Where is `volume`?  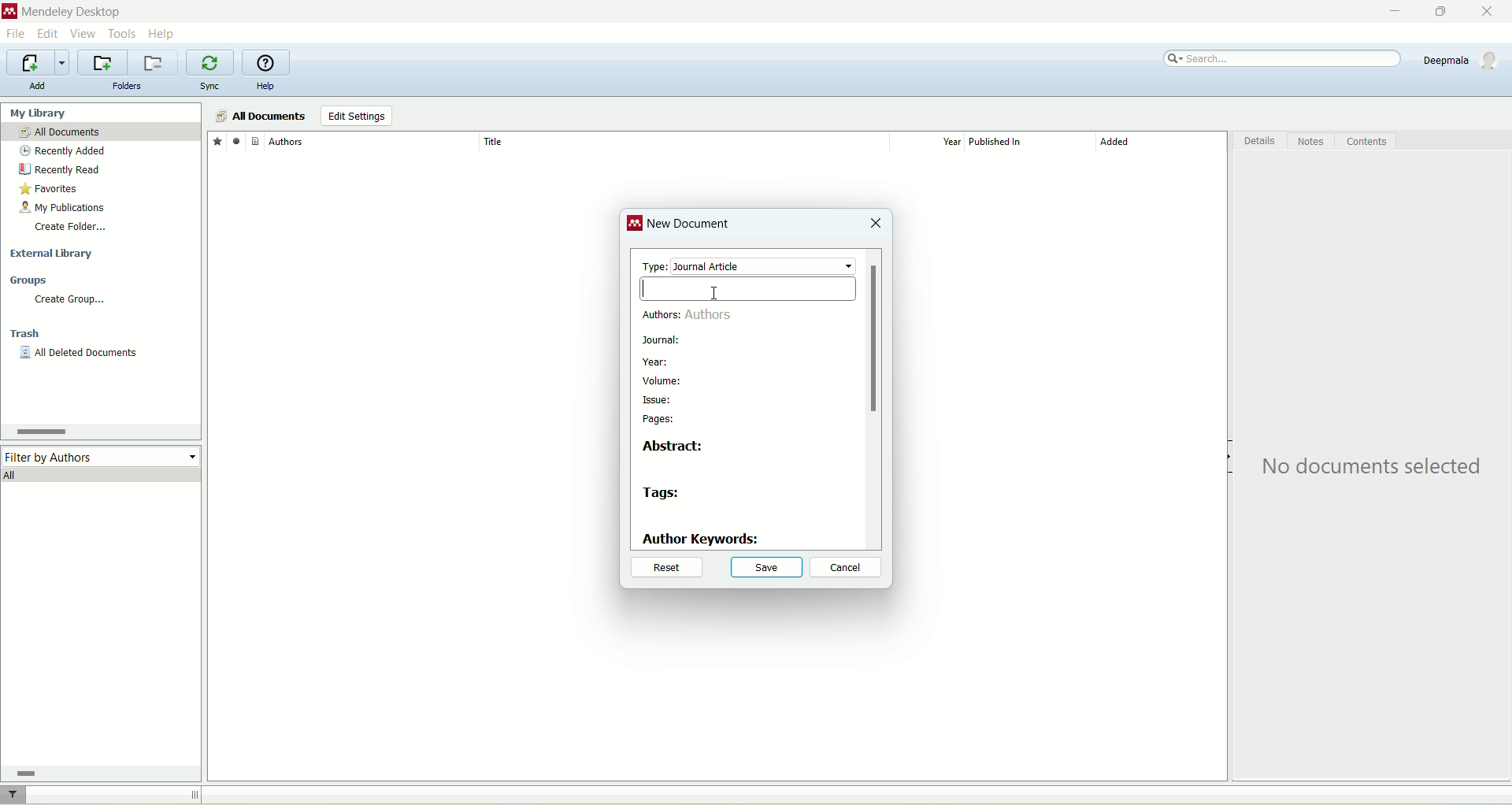
volume is located at coordinates (667, 380).